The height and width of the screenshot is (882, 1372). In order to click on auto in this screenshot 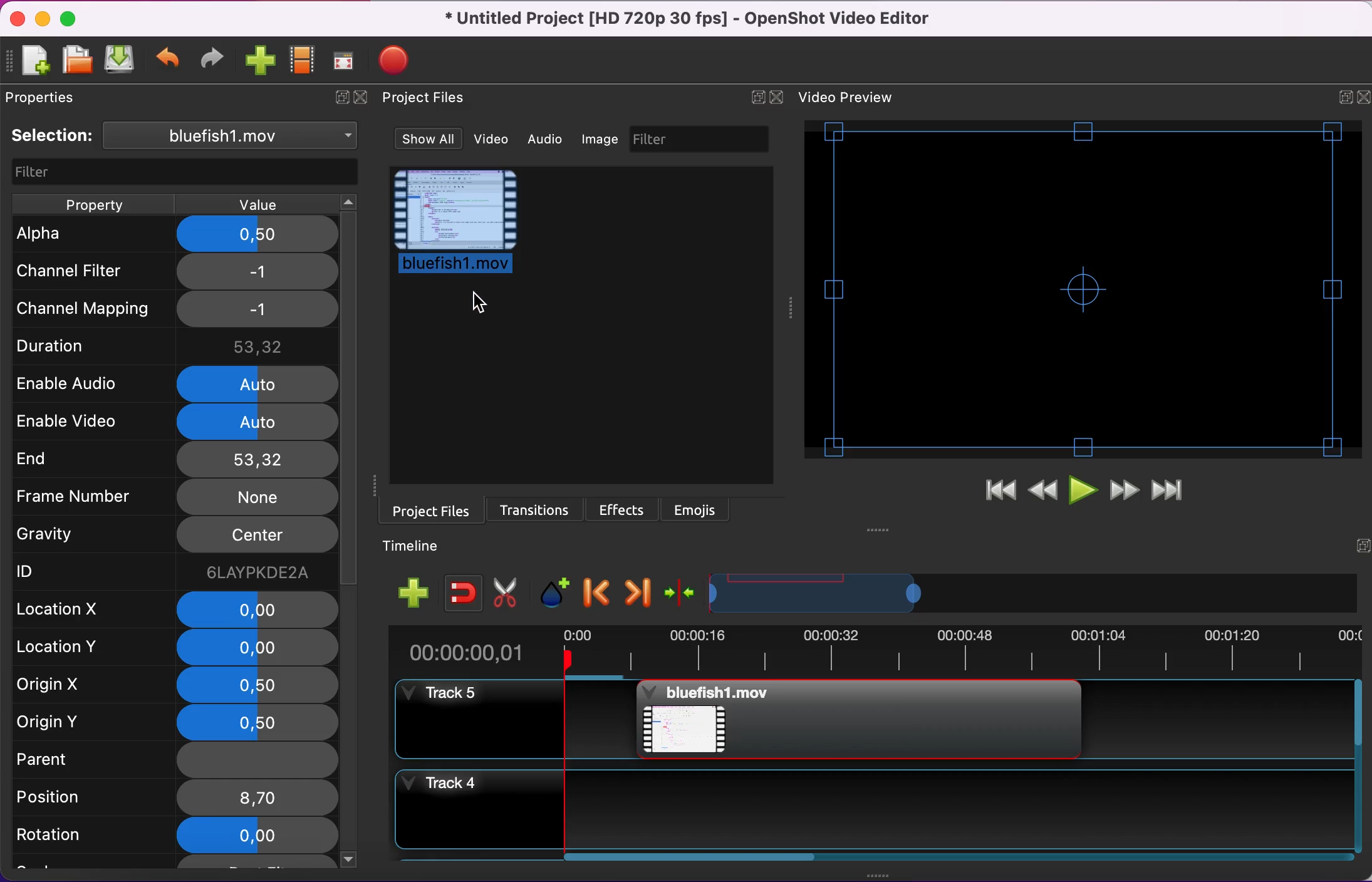, I will do `click(259, 383)`.